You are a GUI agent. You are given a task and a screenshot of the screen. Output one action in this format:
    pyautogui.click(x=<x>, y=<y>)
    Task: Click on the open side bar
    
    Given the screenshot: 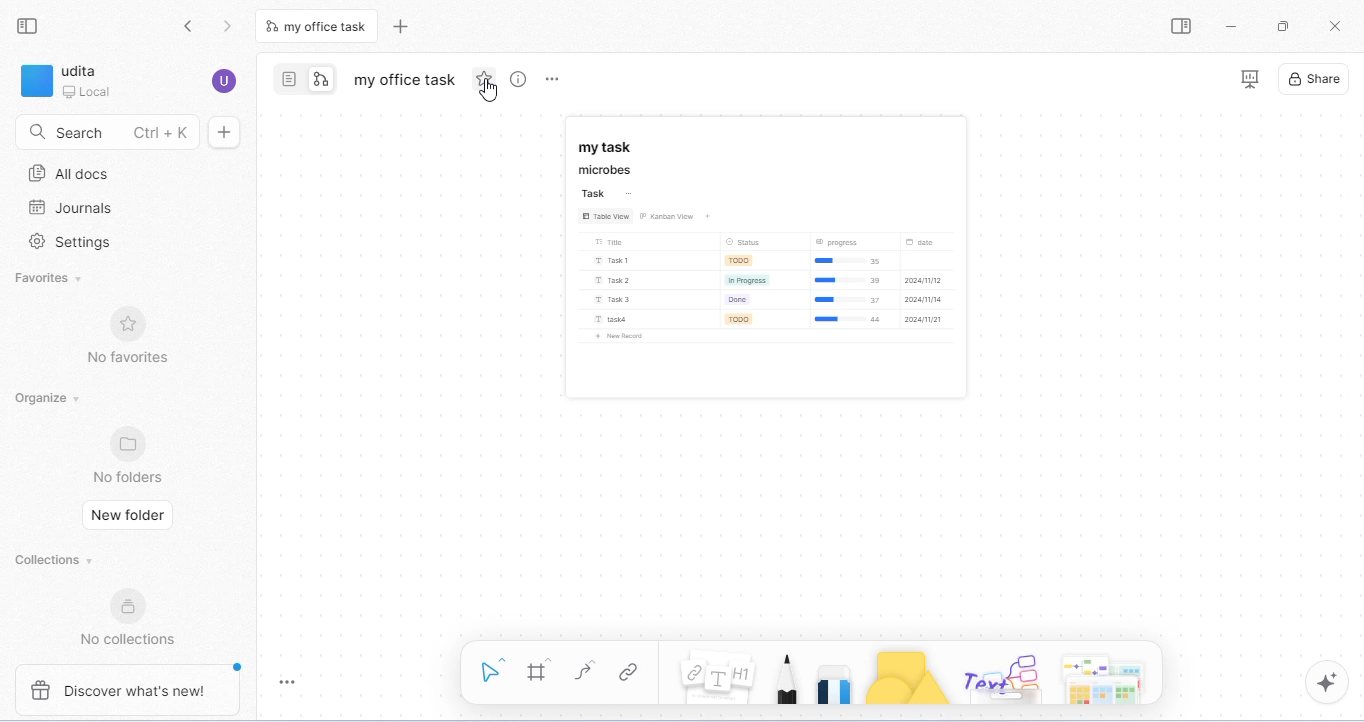 What is the action you would take?
    pyautogui.click(x=1184, y=28)
    